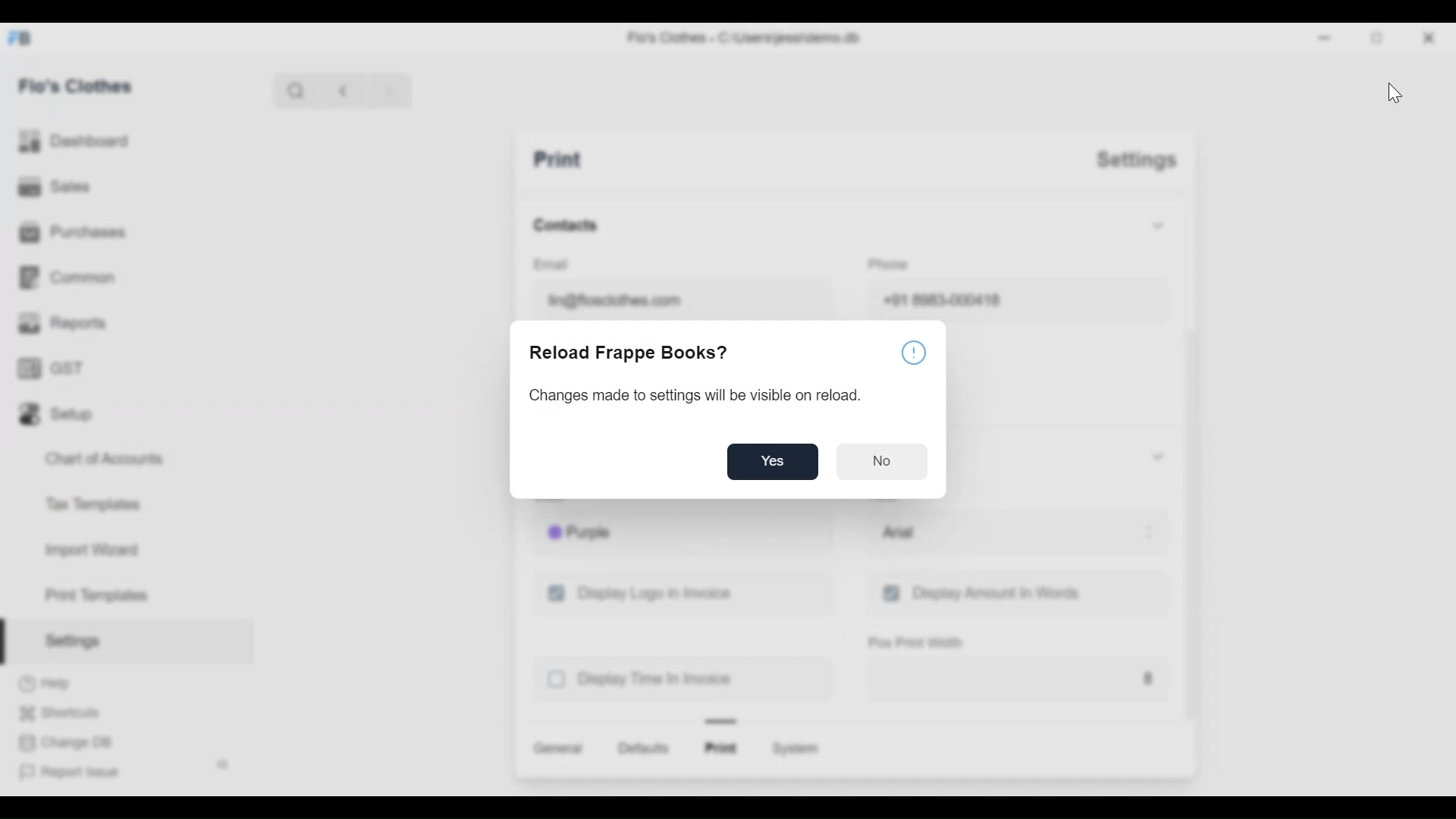 This screenshot has width=1456, height=819. What do you see at coordinates (886, 462) in the screenshot?
I see `No` at bounding box center [886, 462].